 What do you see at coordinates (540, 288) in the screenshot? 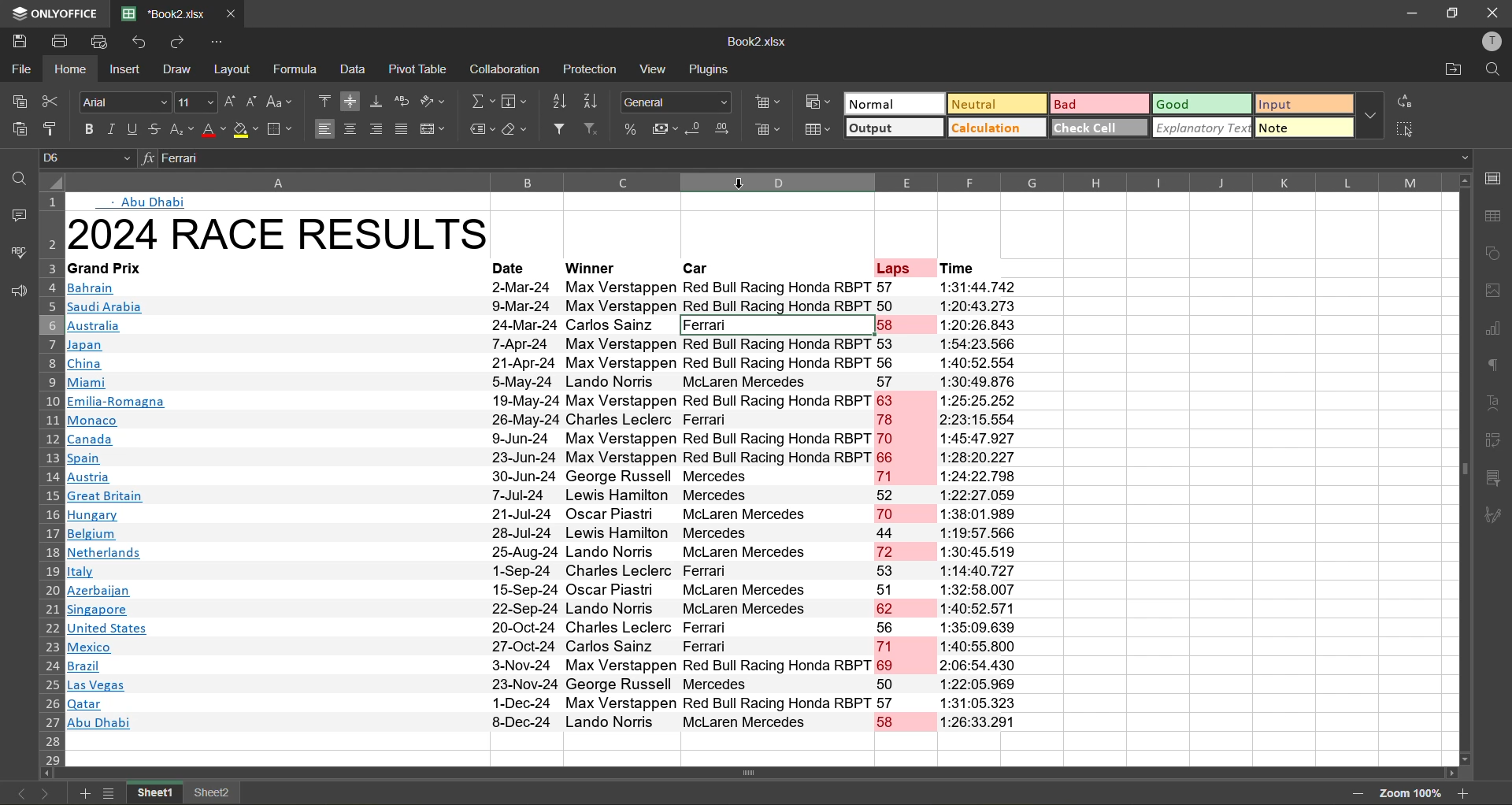
I see `Bahrain 2-Mar-24 Max Verstappen Red Bull Racing Honda RBP 1 57 1:31:44.7/472` at bounding box center [540, 288].